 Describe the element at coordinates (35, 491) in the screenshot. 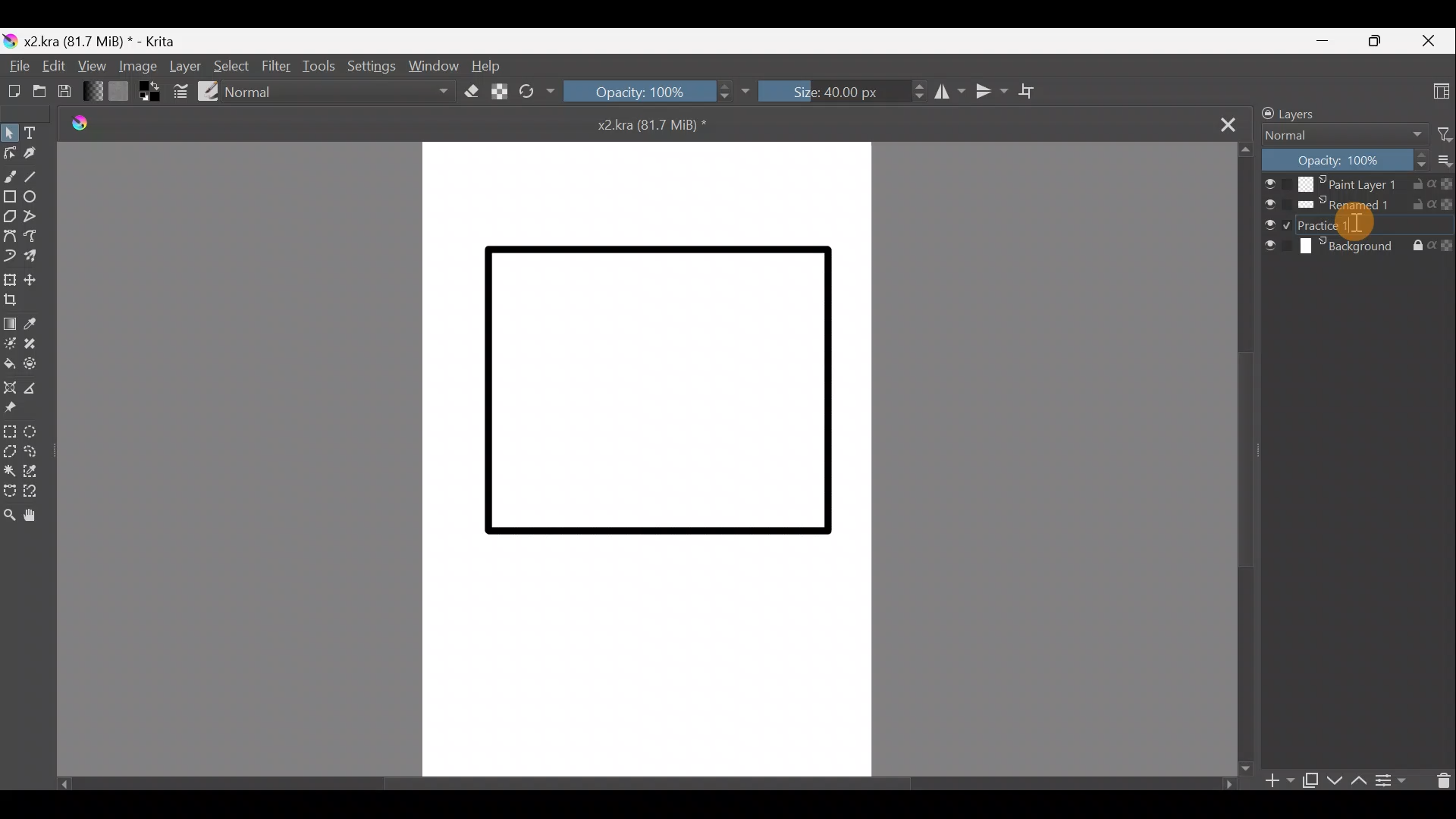

I see `Magnetic curve selection tool` at that location.